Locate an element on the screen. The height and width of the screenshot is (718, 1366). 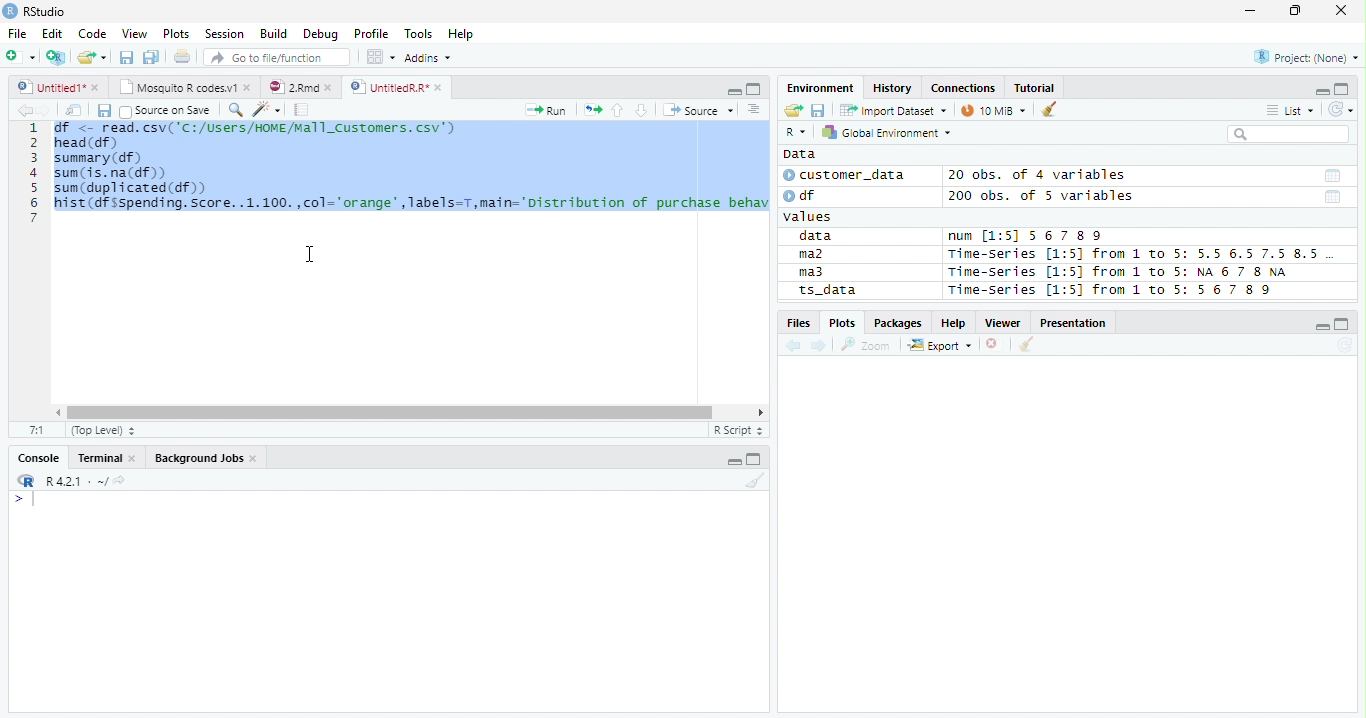
ts_data is located at coordinates (855, 293).